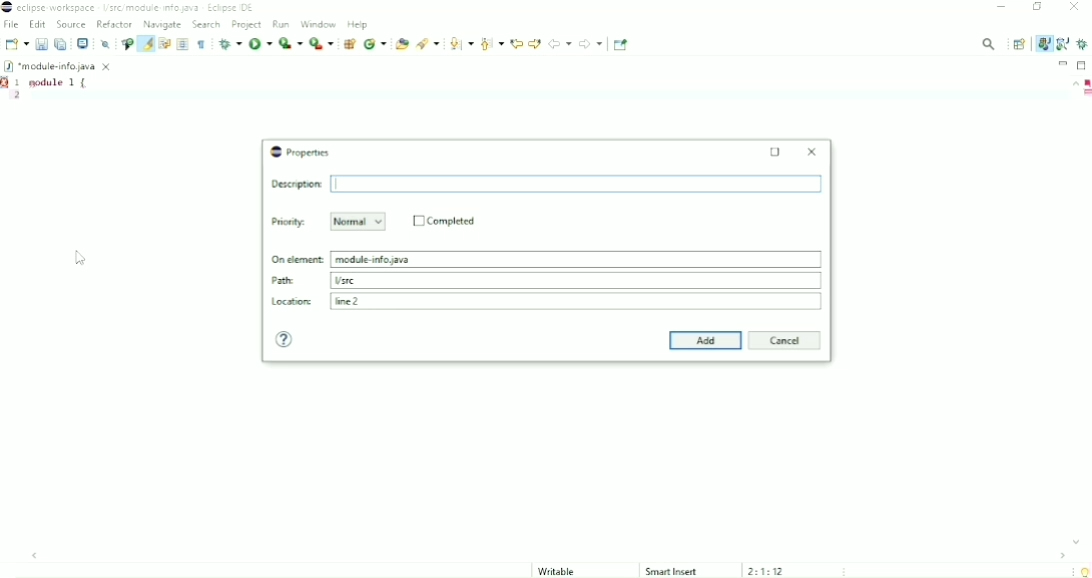 The height and width of the screenshot is (578, 1092). Describe the element at coordinates (18, 97) in the screenshot. I see `2` at that location.